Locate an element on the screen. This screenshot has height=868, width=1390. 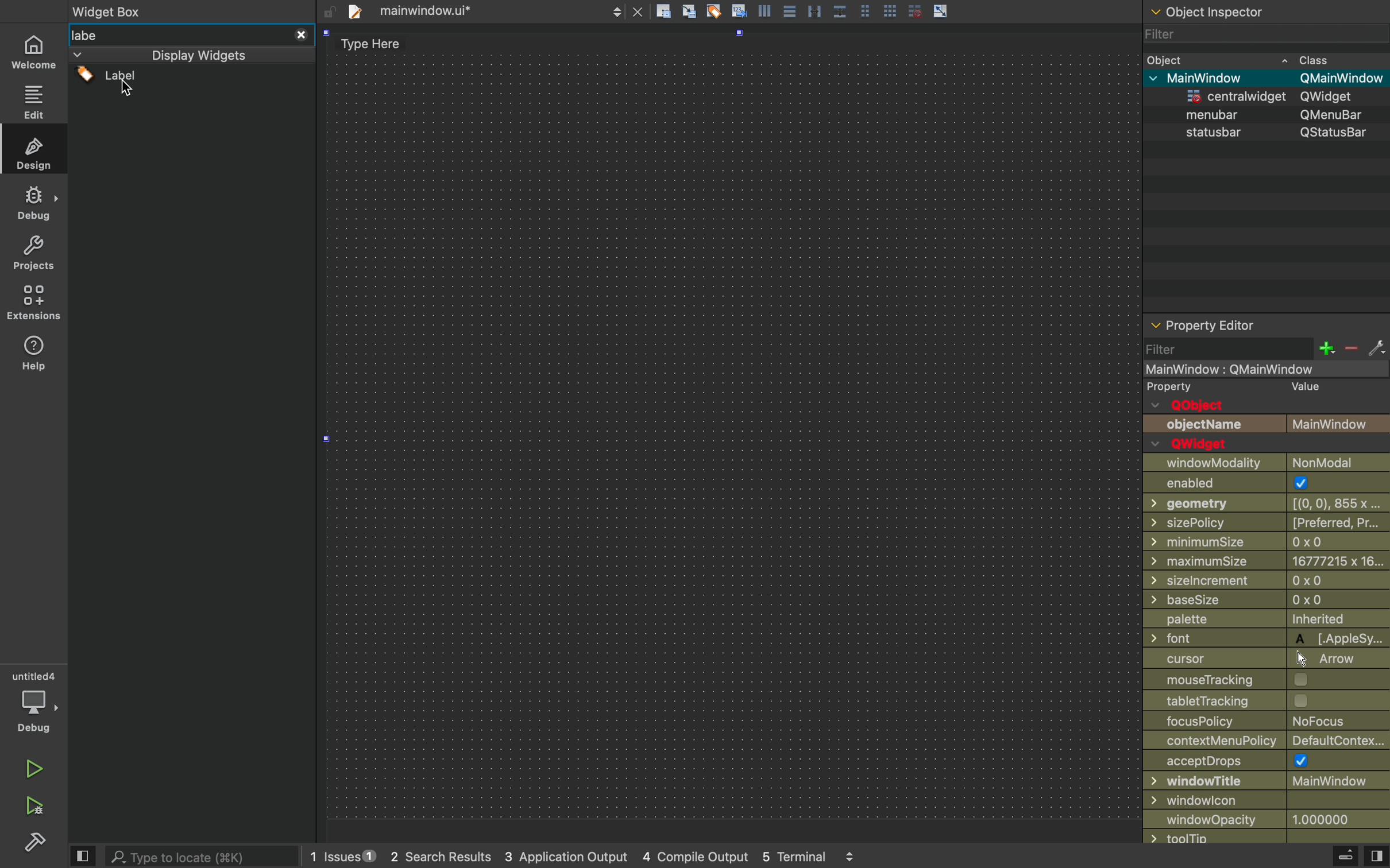
debug is located at coordinates (33, 204).